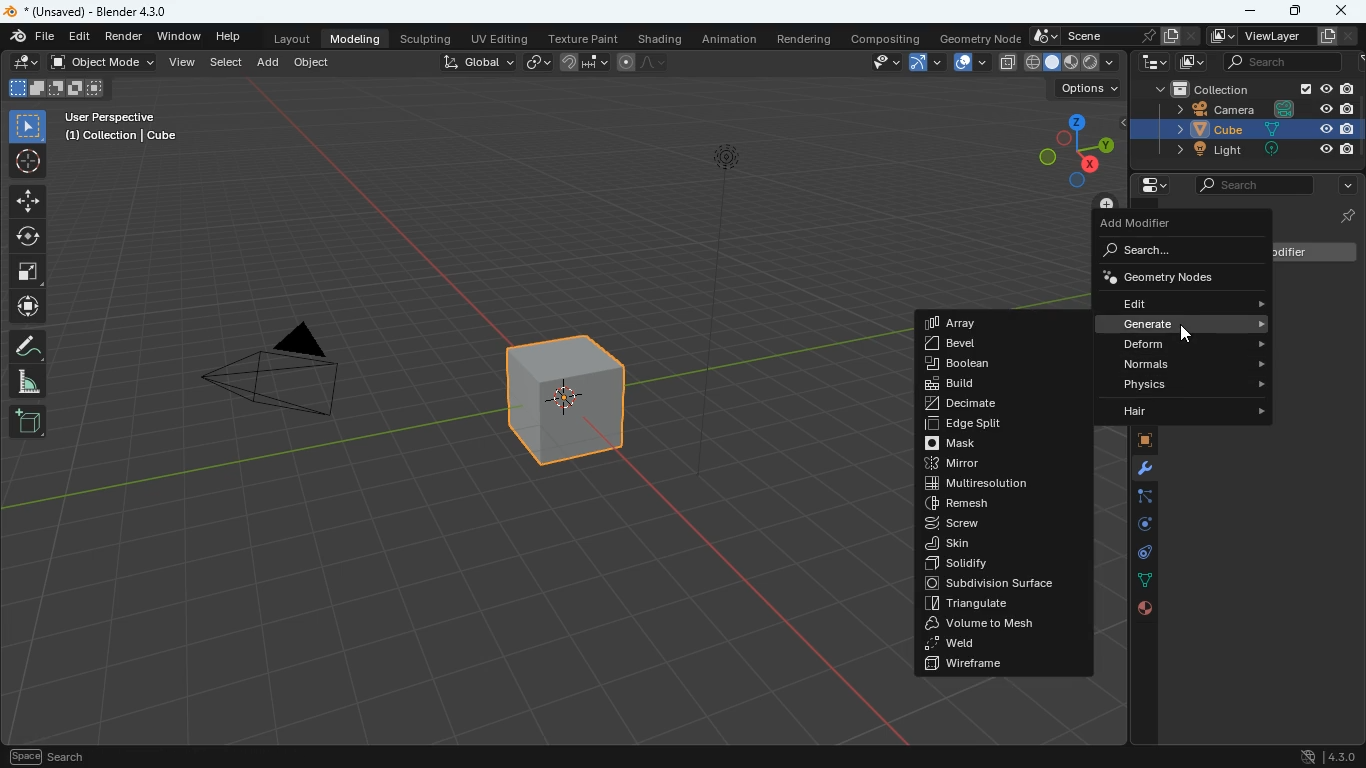  Describe the element at coordinates (997, 544) in the screenshot. I see `skin` at that location.